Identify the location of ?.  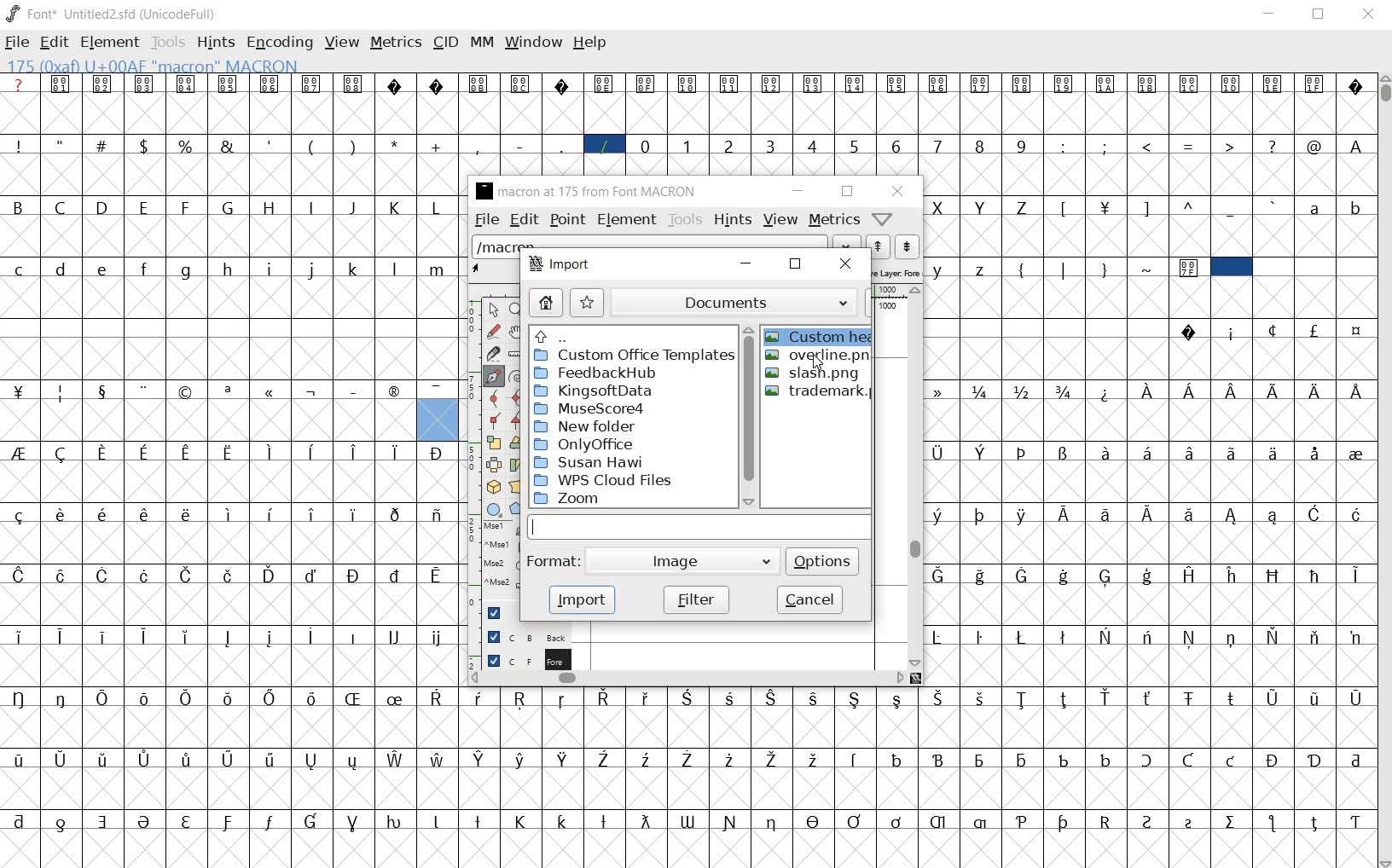
(20, 85).